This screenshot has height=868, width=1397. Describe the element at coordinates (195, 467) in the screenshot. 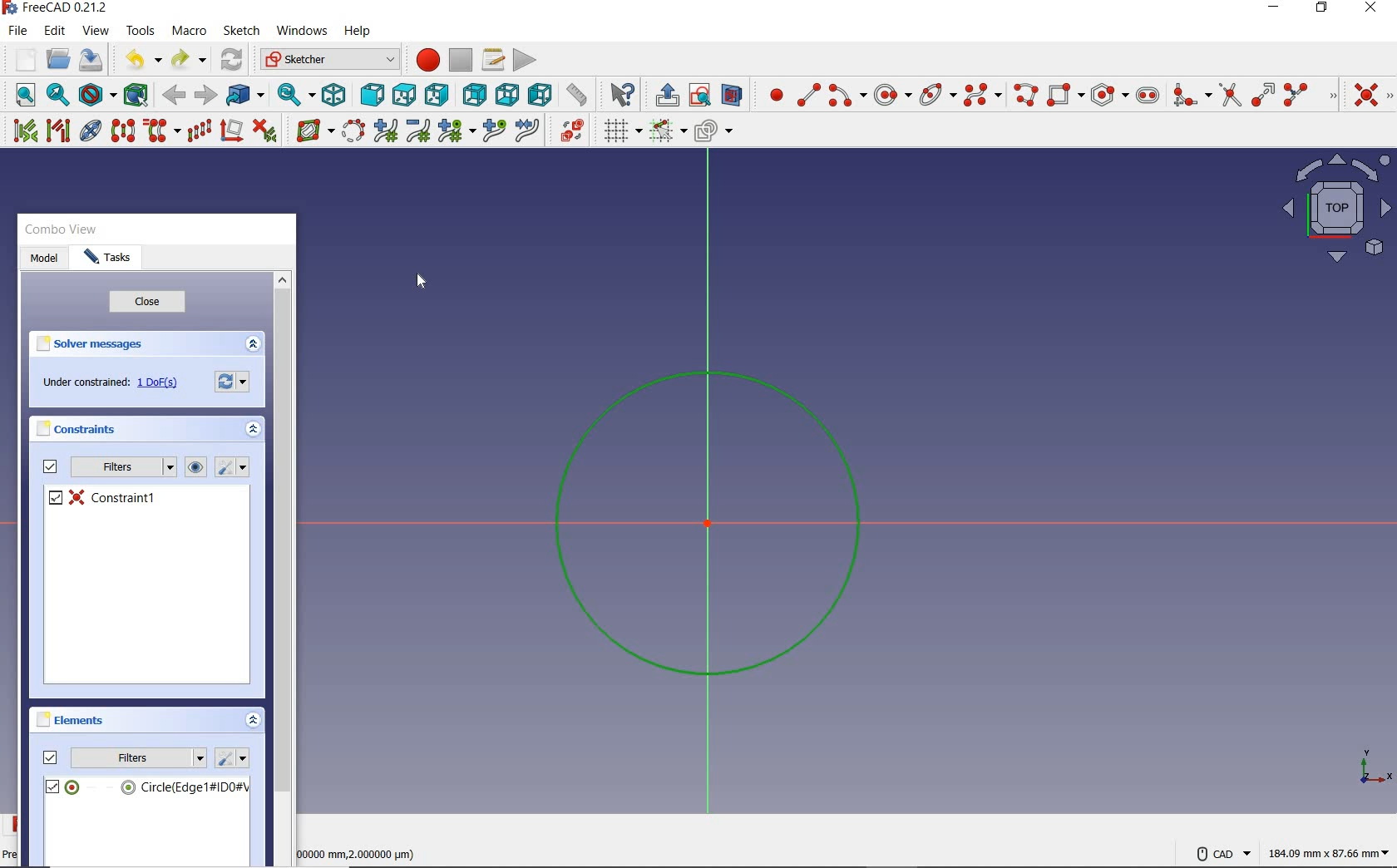

I see `view` at that location.